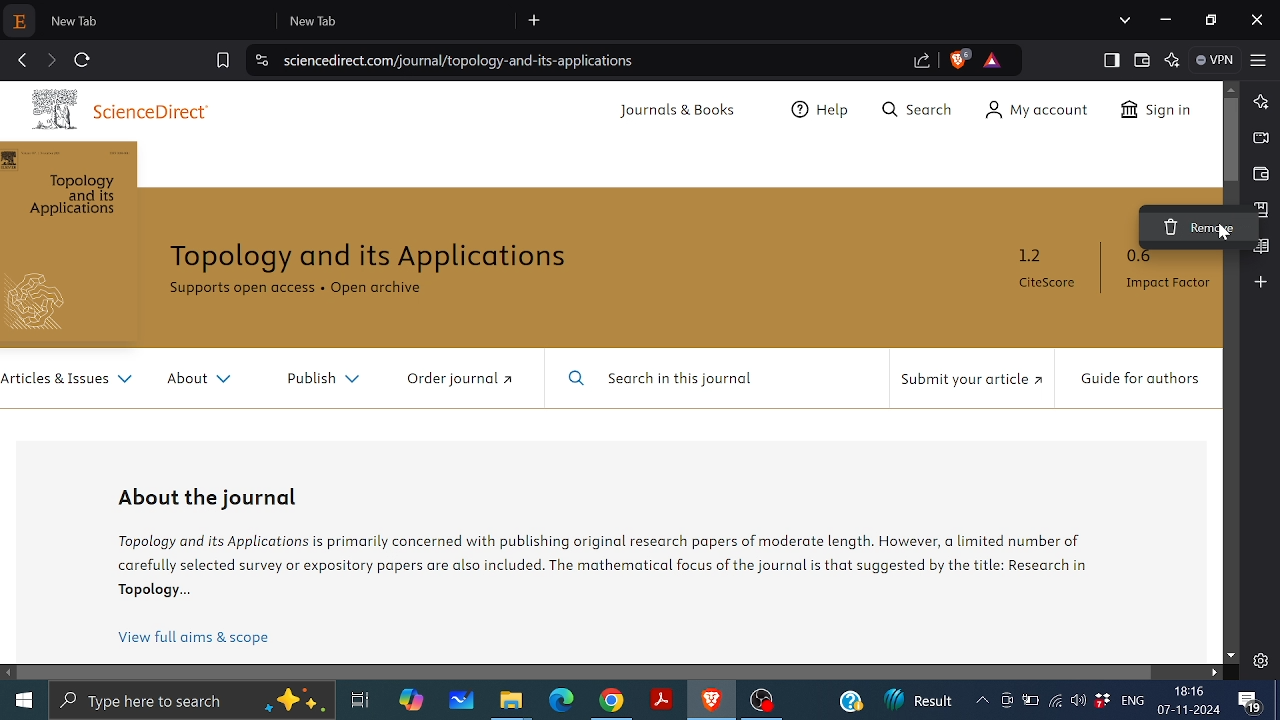 The width and height of the screenshot is (1280, 720). Describe the element at coordinates (1078, 700) in the screenshot. I see `Speaker/Headphone` at that location.